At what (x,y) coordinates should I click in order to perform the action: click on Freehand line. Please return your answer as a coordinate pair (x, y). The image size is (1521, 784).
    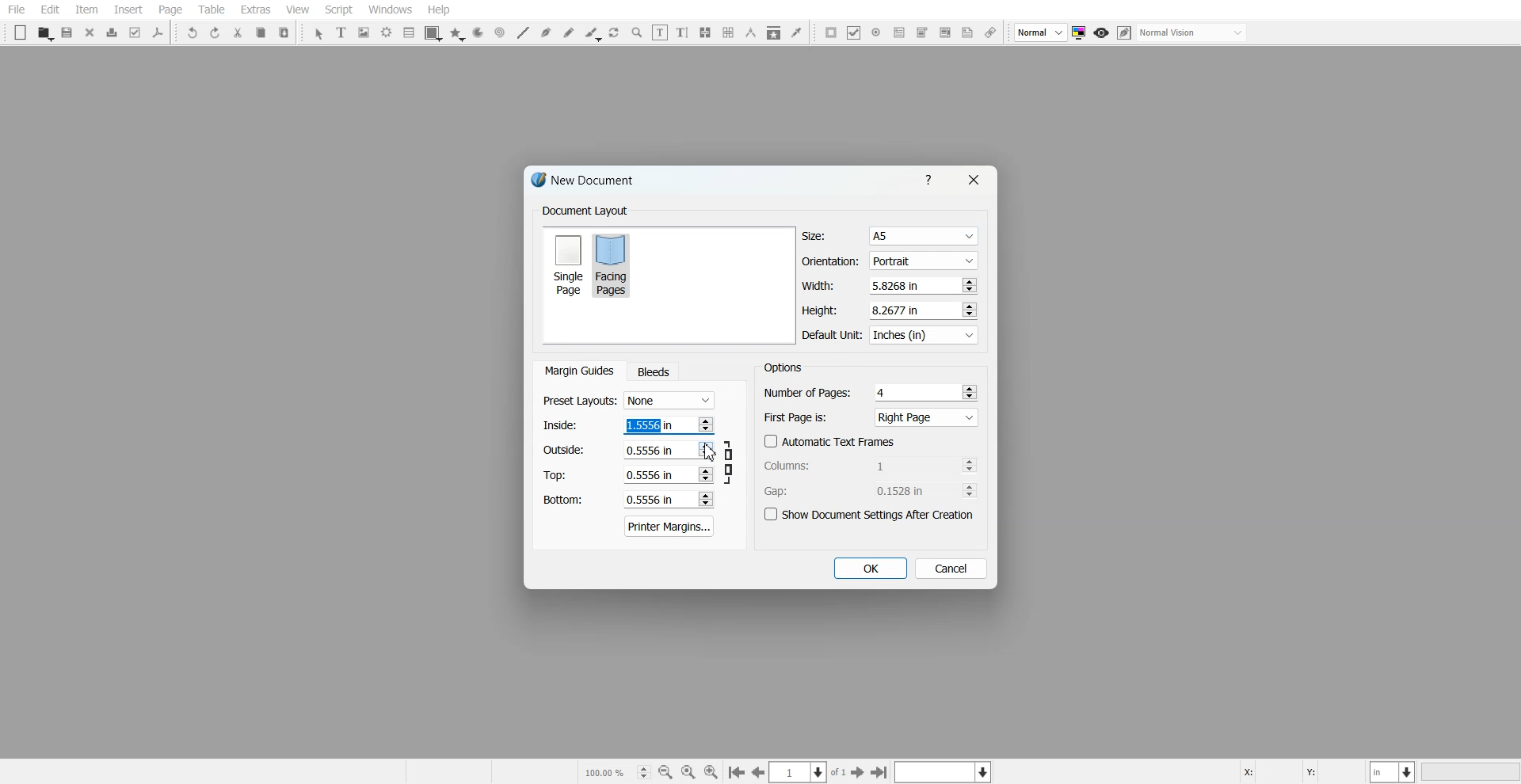
    Looking at the image, I should click on (569, 32).